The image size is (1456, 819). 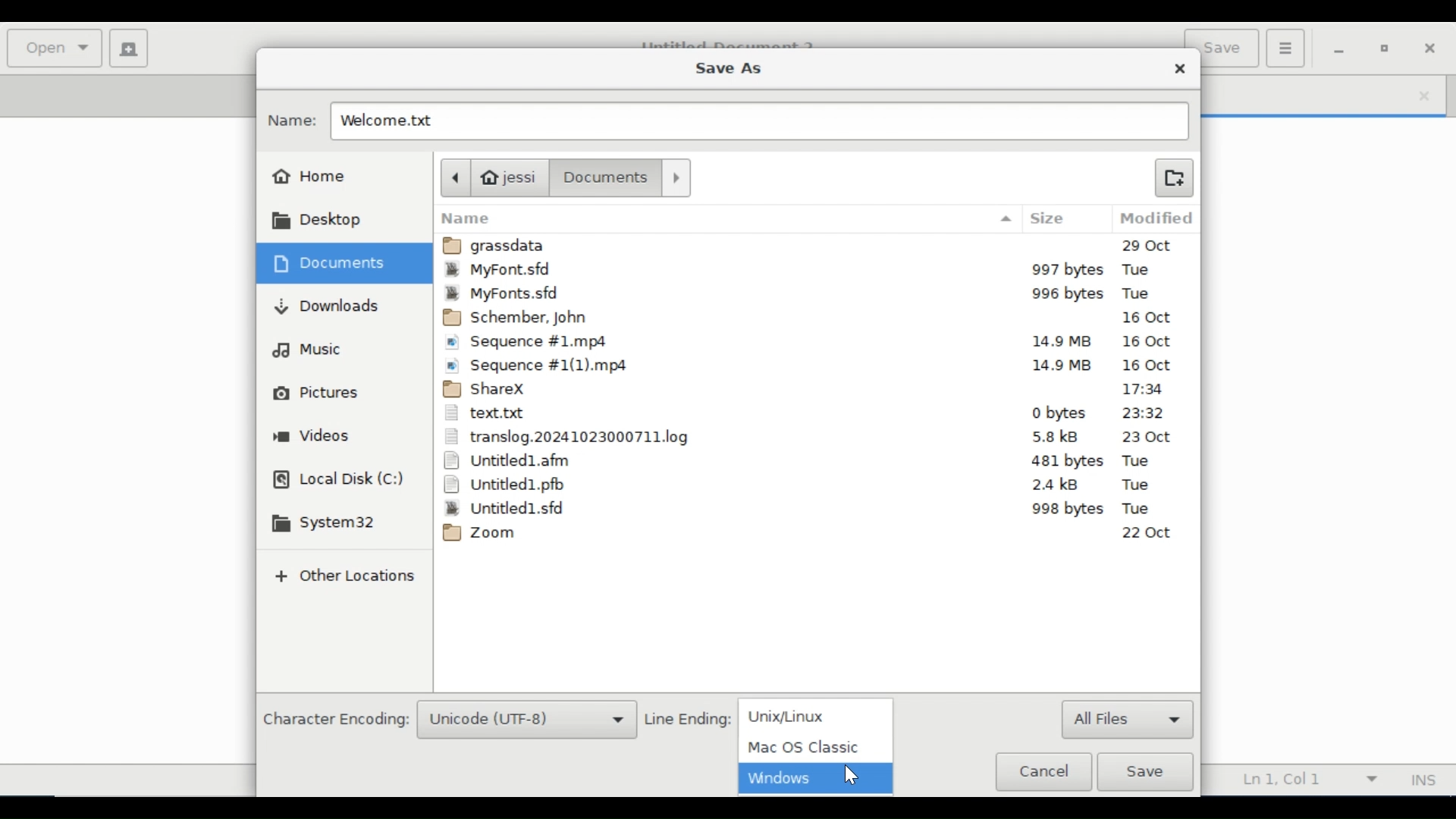 I want to click on Untitled1.pfb 2.4kB Tue, so click(x=812, y=485).